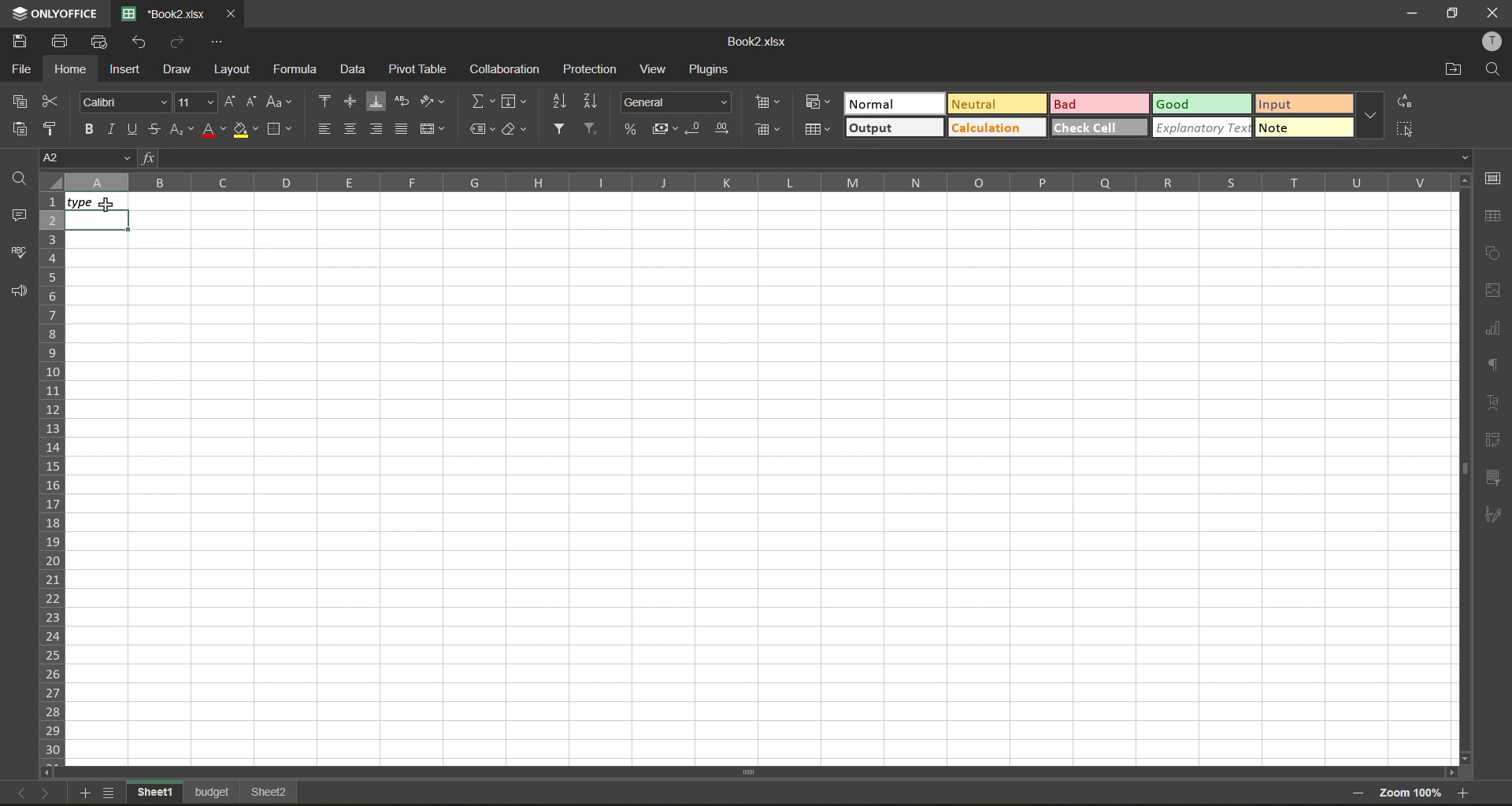 This screenshot has width=1512, height=806. I want to click on font color, so click(213, 131).